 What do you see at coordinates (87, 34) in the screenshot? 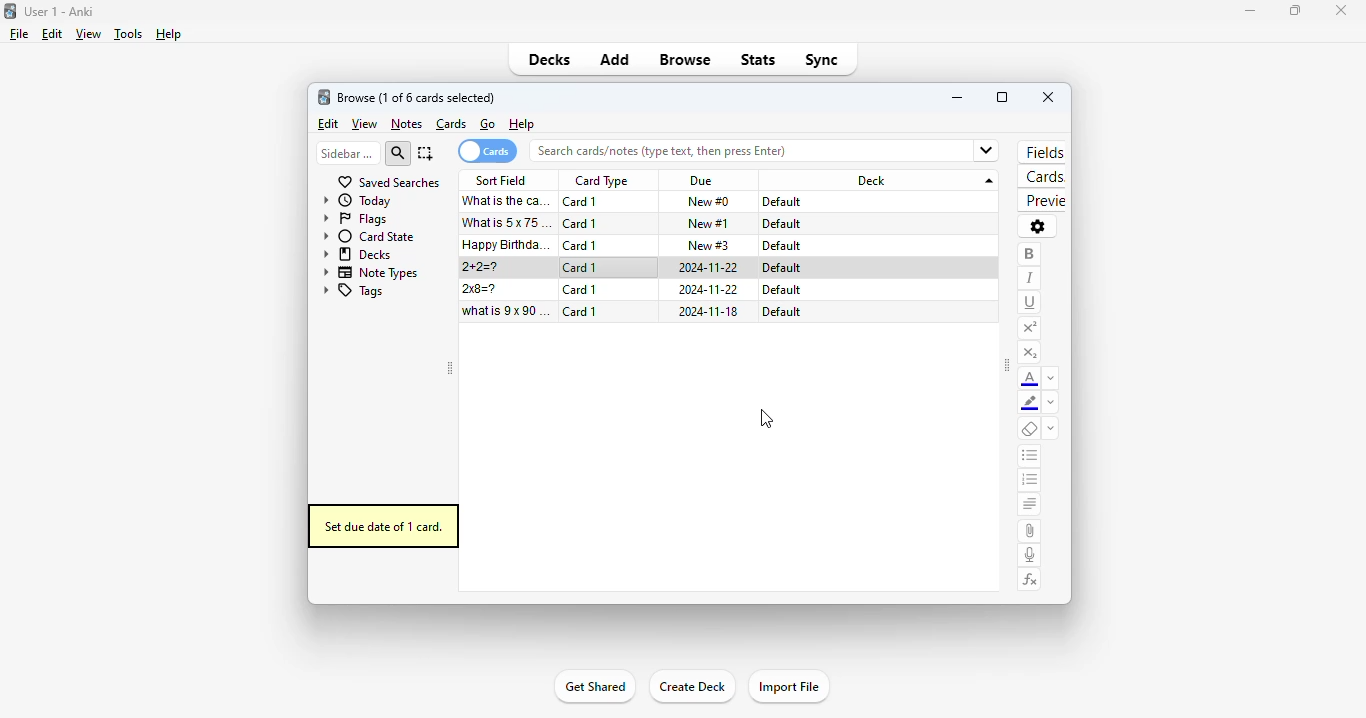
I see `view` at bounding box center [87, 34].